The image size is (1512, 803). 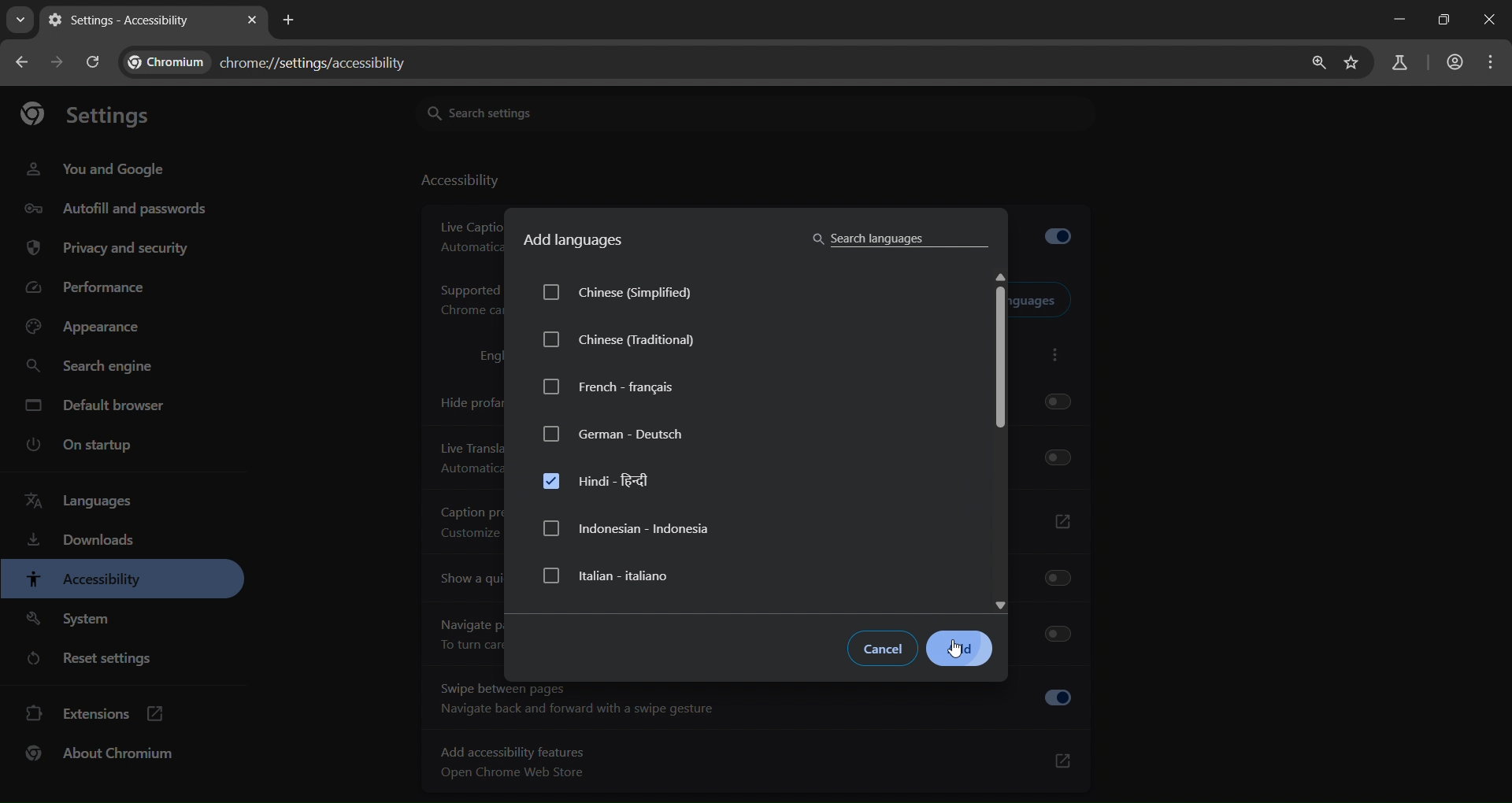 What do you see at coordinates (622, 343) in the screenshot?
I see `chinese (traditional)` at bounding box center [622, 343].